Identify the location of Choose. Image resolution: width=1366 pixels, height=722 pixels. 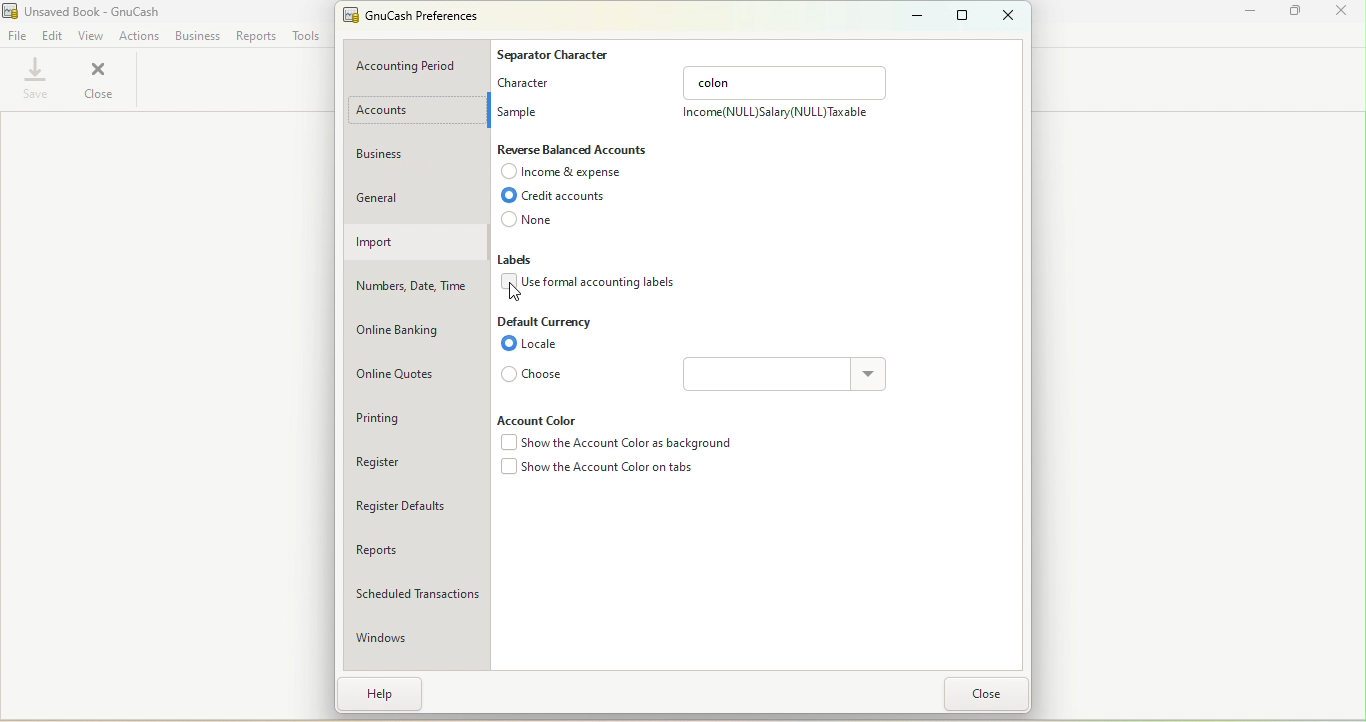
(535, 374).